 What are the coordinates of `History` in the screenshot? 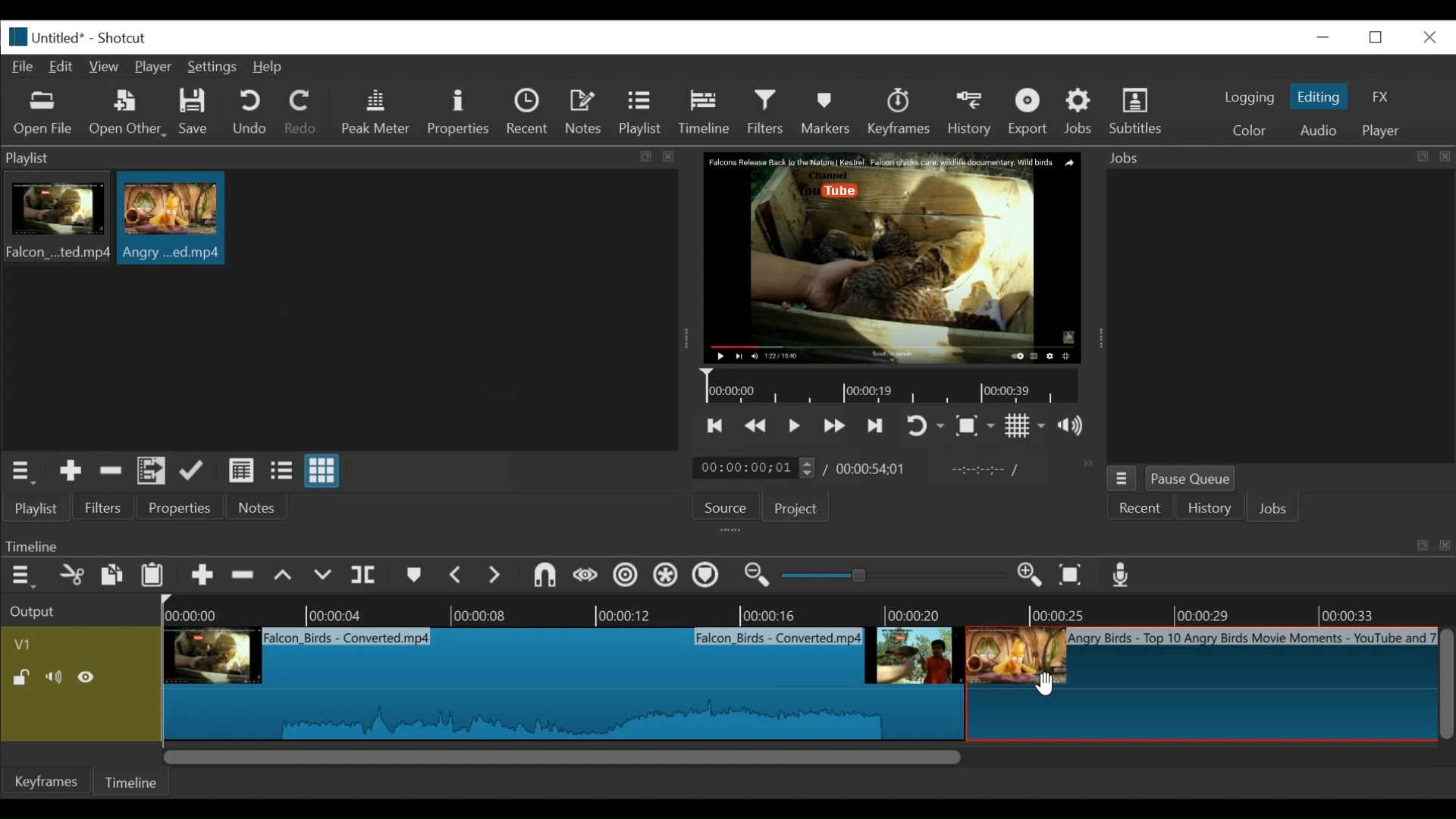 It's located at (972, 111).